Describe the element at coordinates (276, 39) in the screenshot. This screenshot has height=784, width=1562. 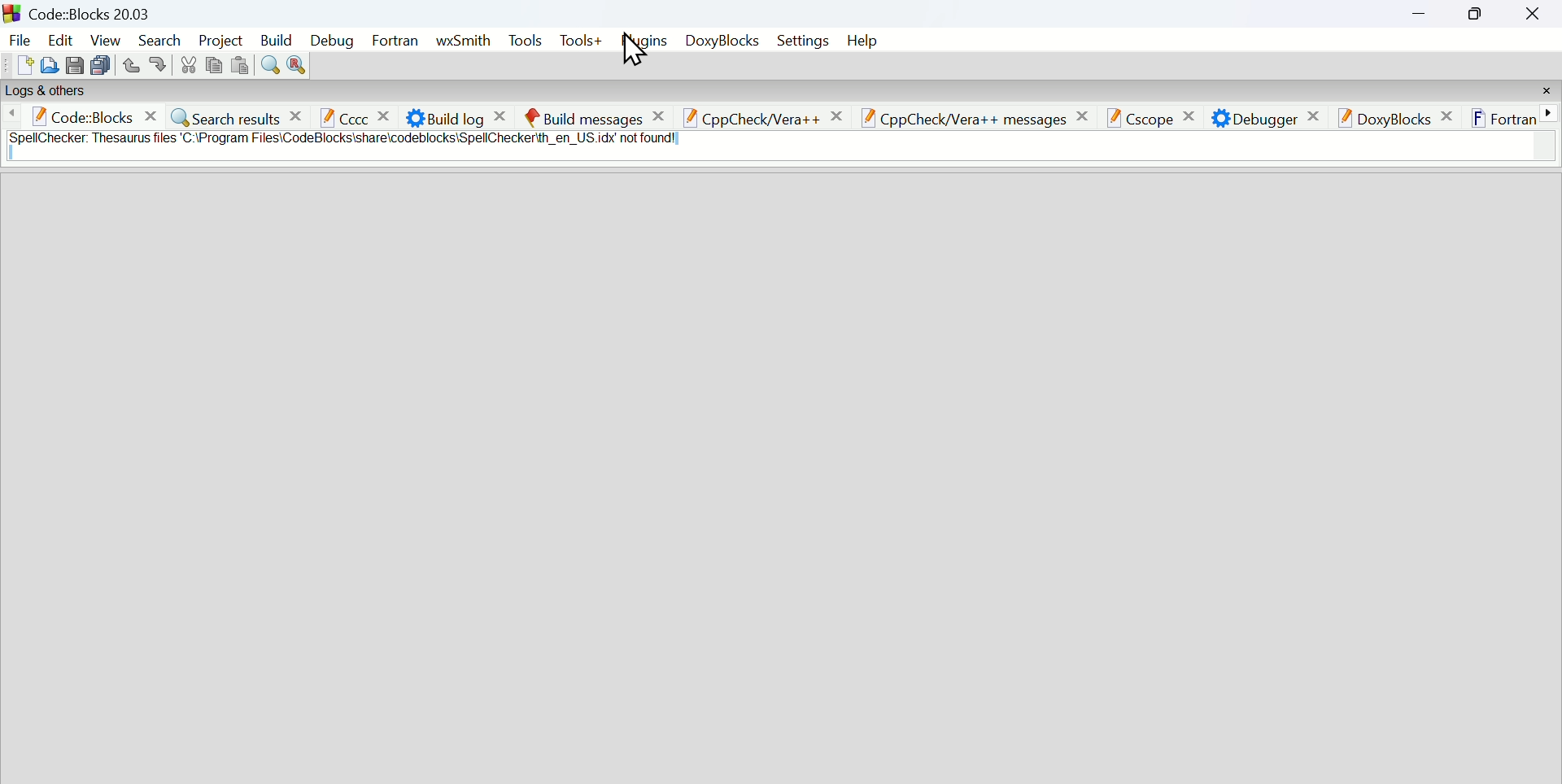
I see `Build` at that location.